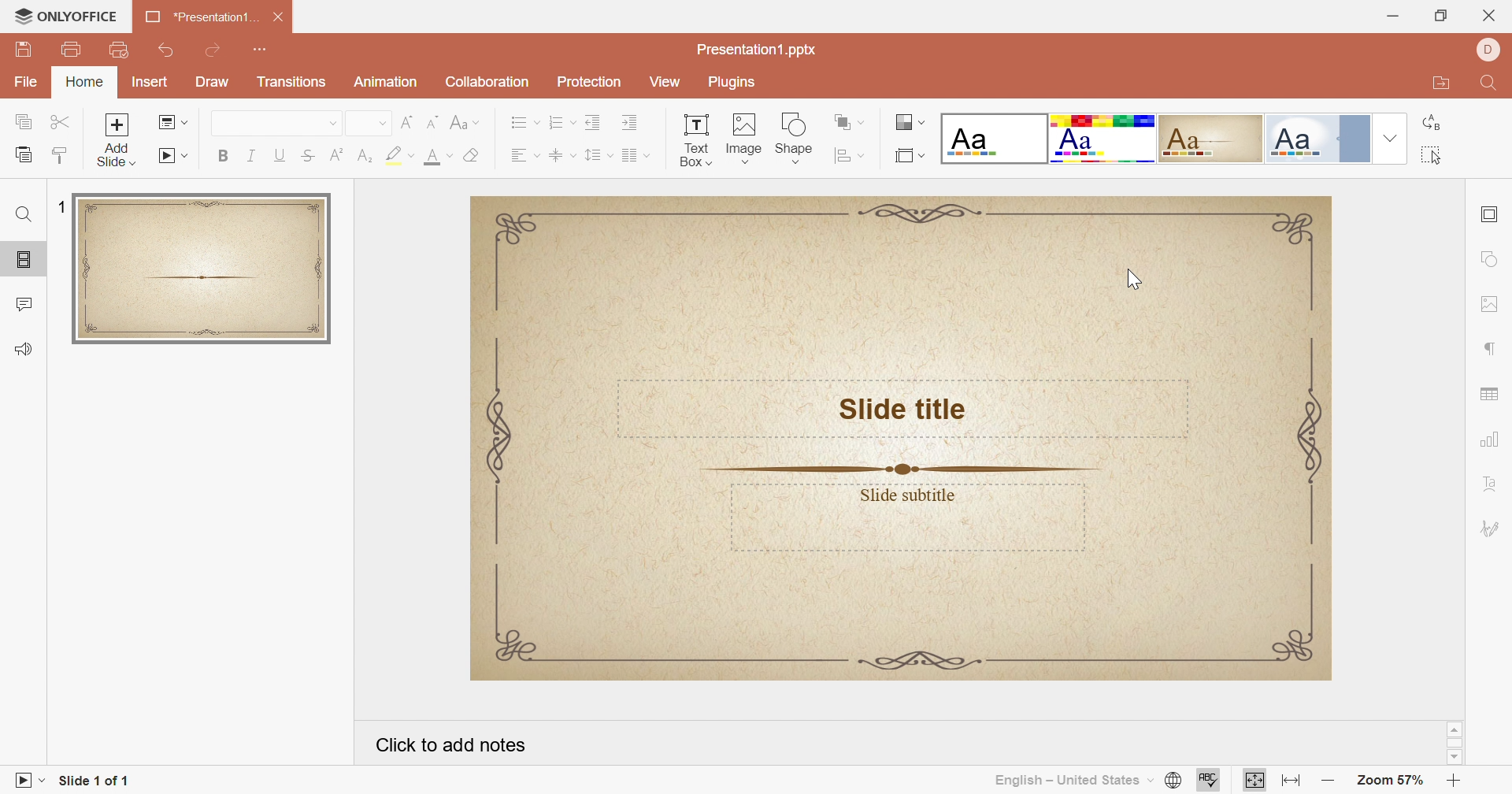 Image resolution: width=1512 pixels, height=794 pixels. What do you see at coordinates (250, 158) in the screenshot?
I see `Italic` at bounding box center [250, 158].